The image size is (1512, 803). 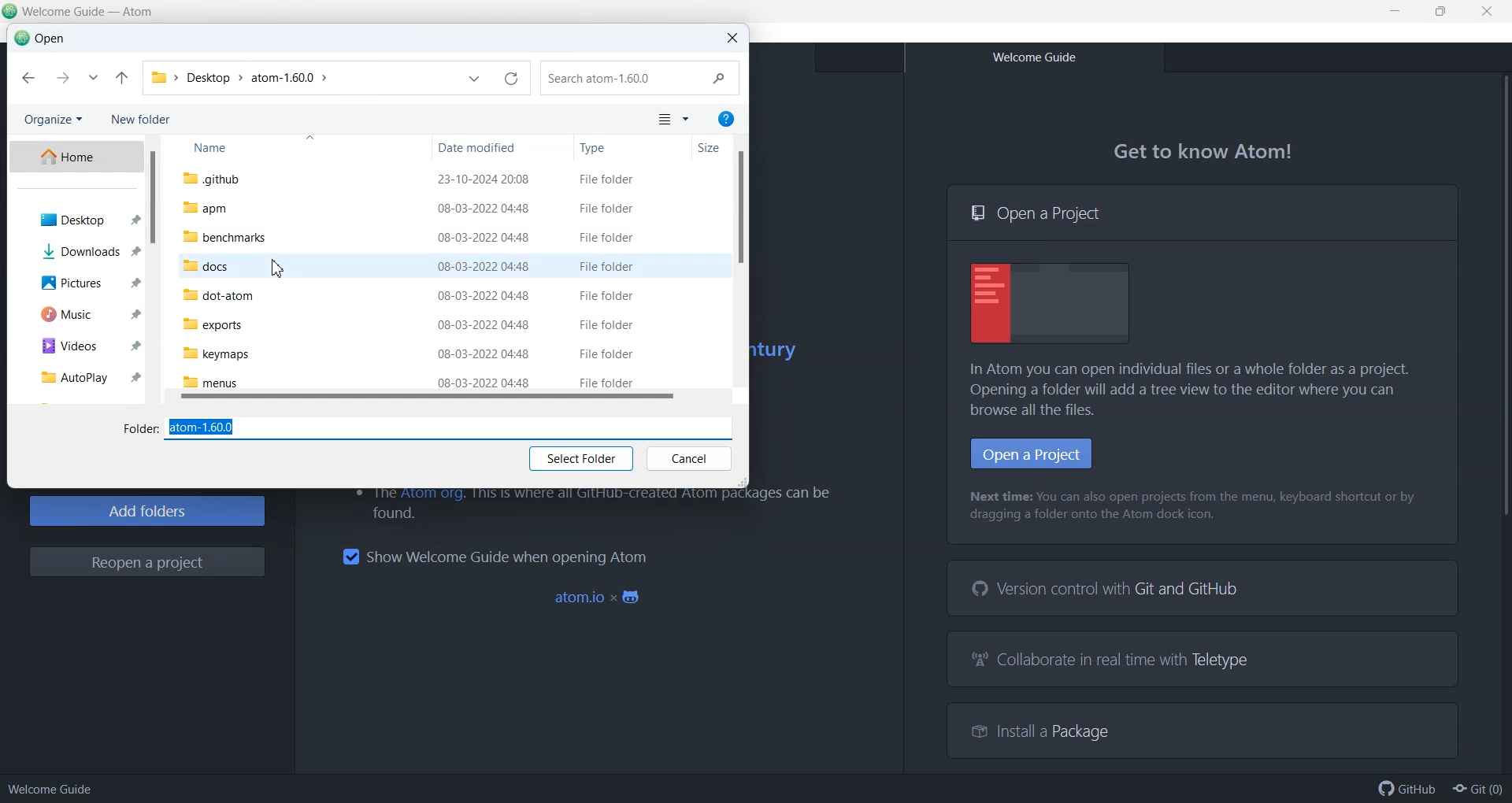 I want to click on Get to know Atom!, so click(x=1205, y=152).